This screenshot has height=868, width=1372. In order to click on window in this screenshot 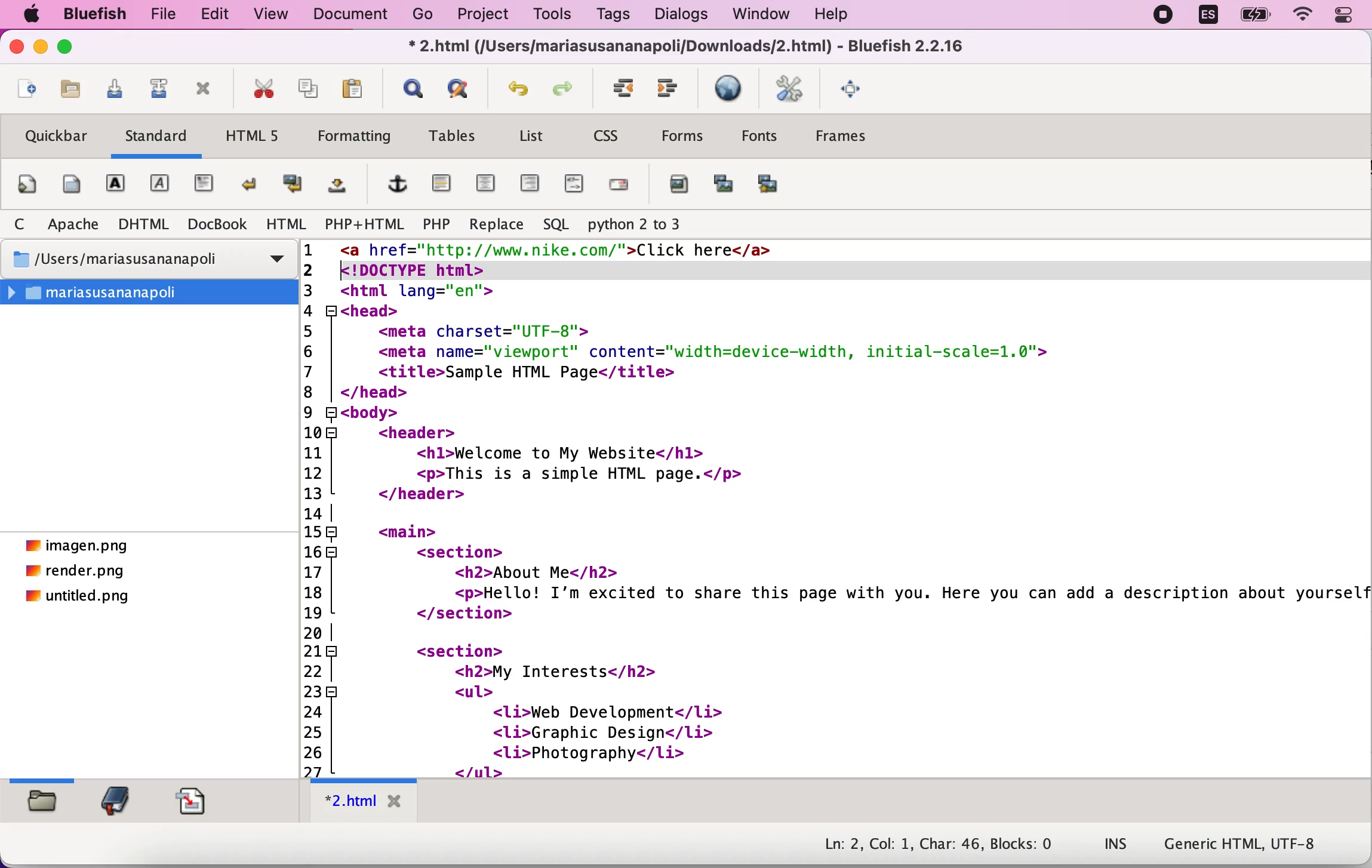, I will do `click(762, 16)`.